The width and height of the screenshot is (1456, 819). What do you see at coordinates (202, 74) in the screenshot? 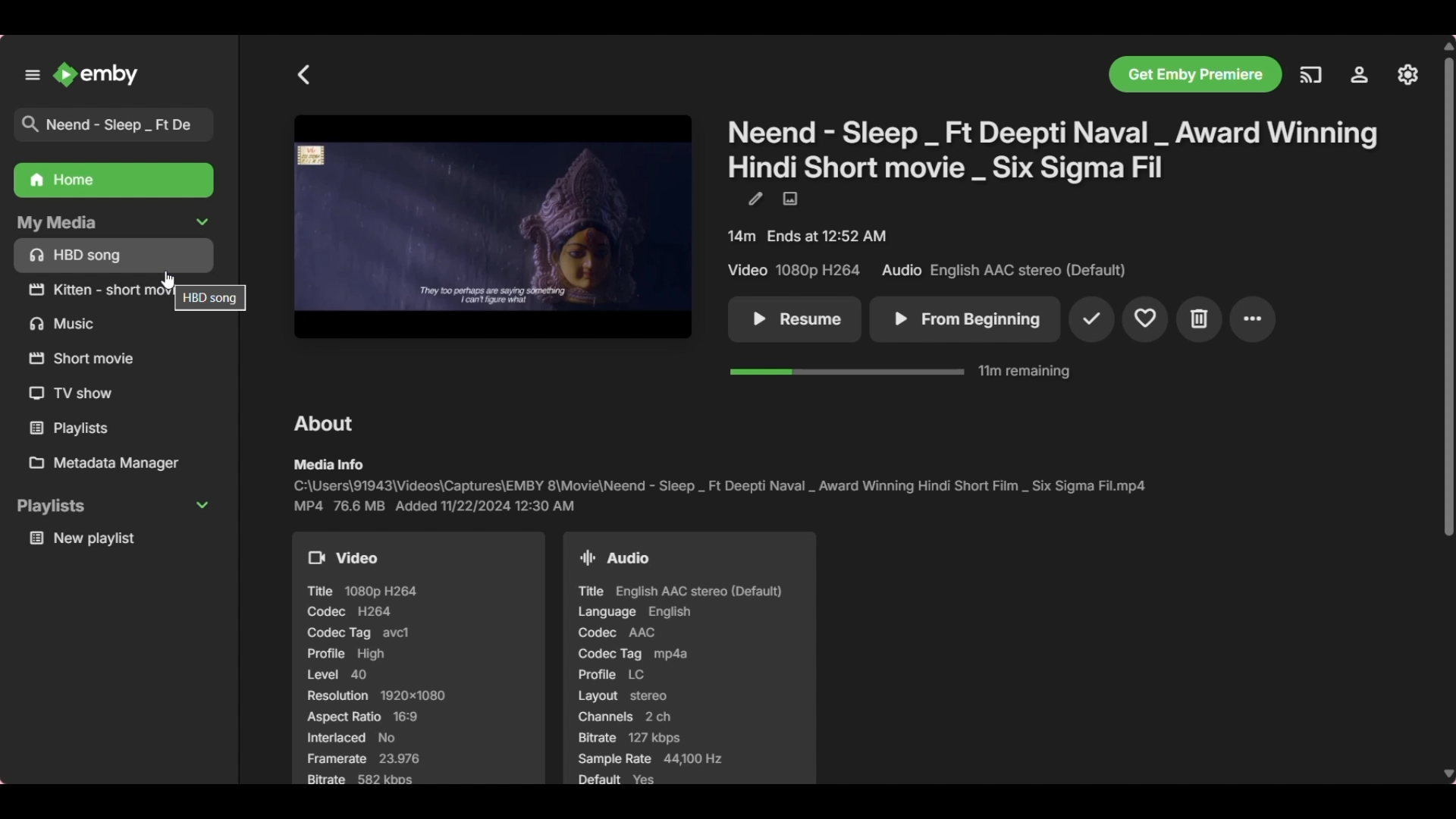
I see `Delete inputs` at bounding box center [202, 74].